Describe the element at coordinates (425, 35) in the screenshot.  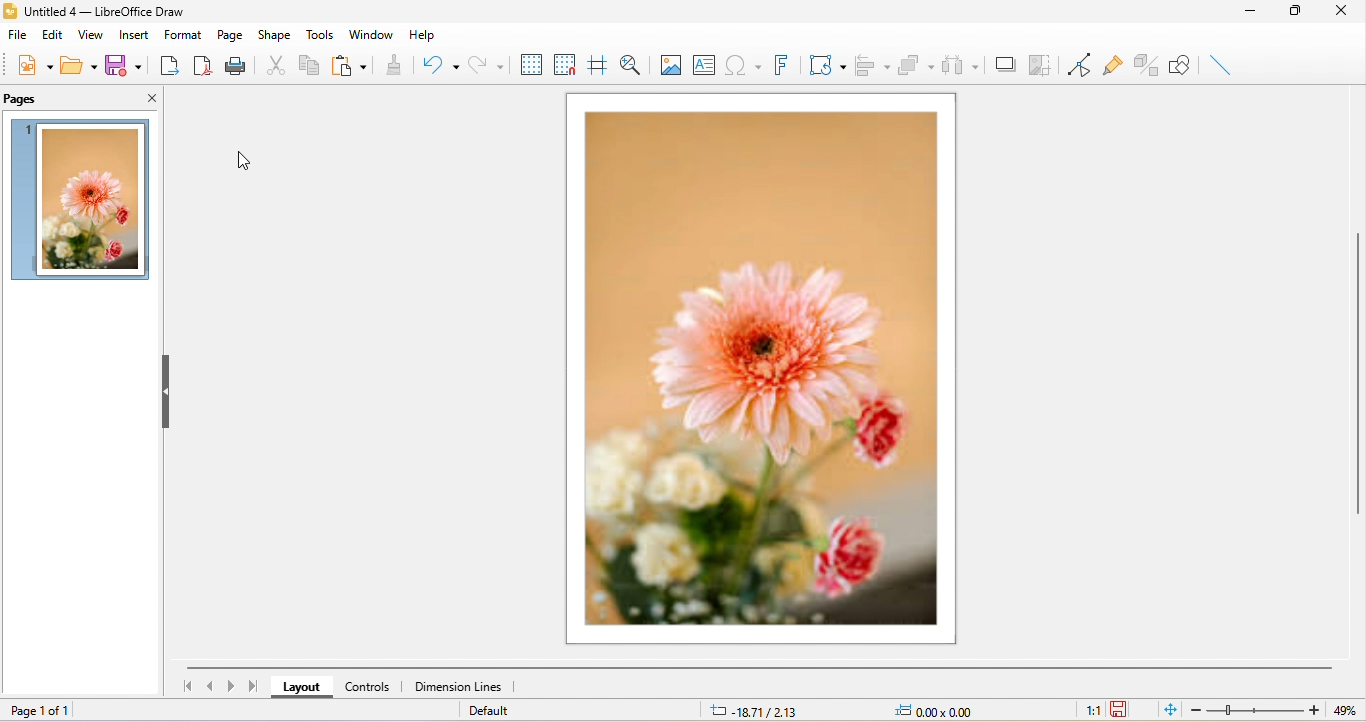
I see `help` at that location.